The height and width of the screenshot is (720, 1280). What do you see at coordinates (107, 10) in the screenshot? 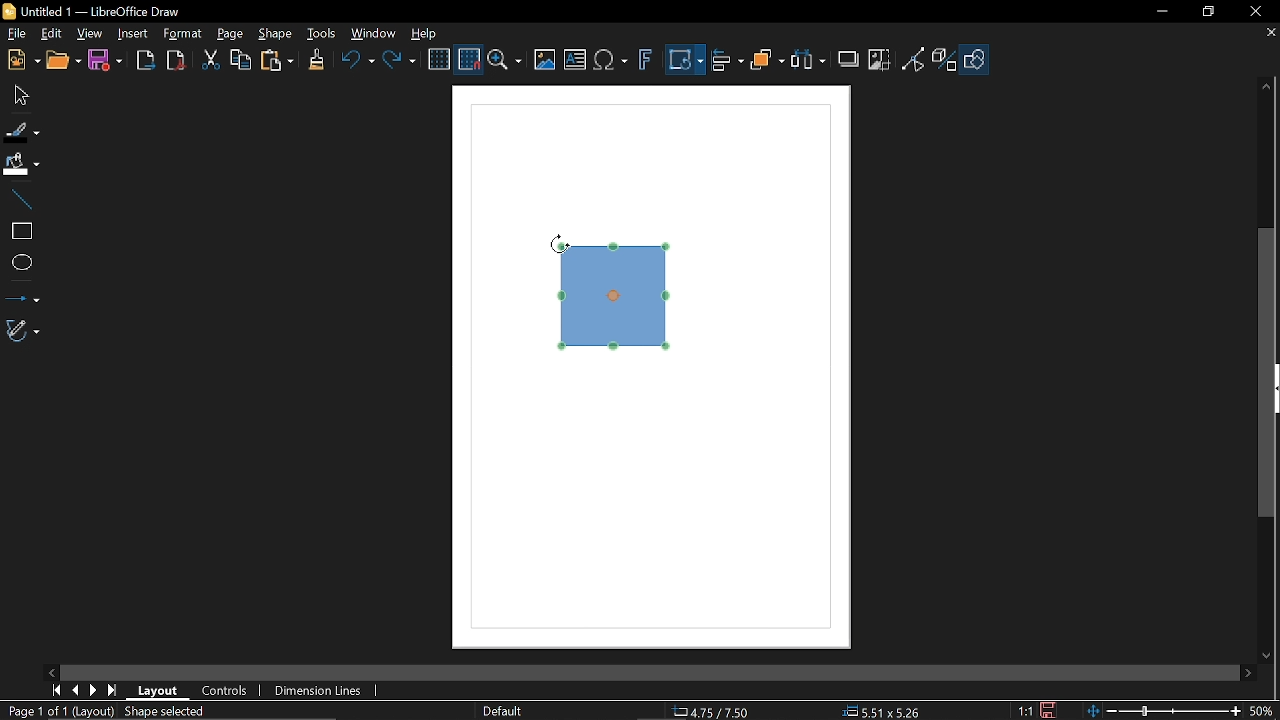
I see `Untitled 1 -- LibreOffice Draw` at bounding box center [107, 10].